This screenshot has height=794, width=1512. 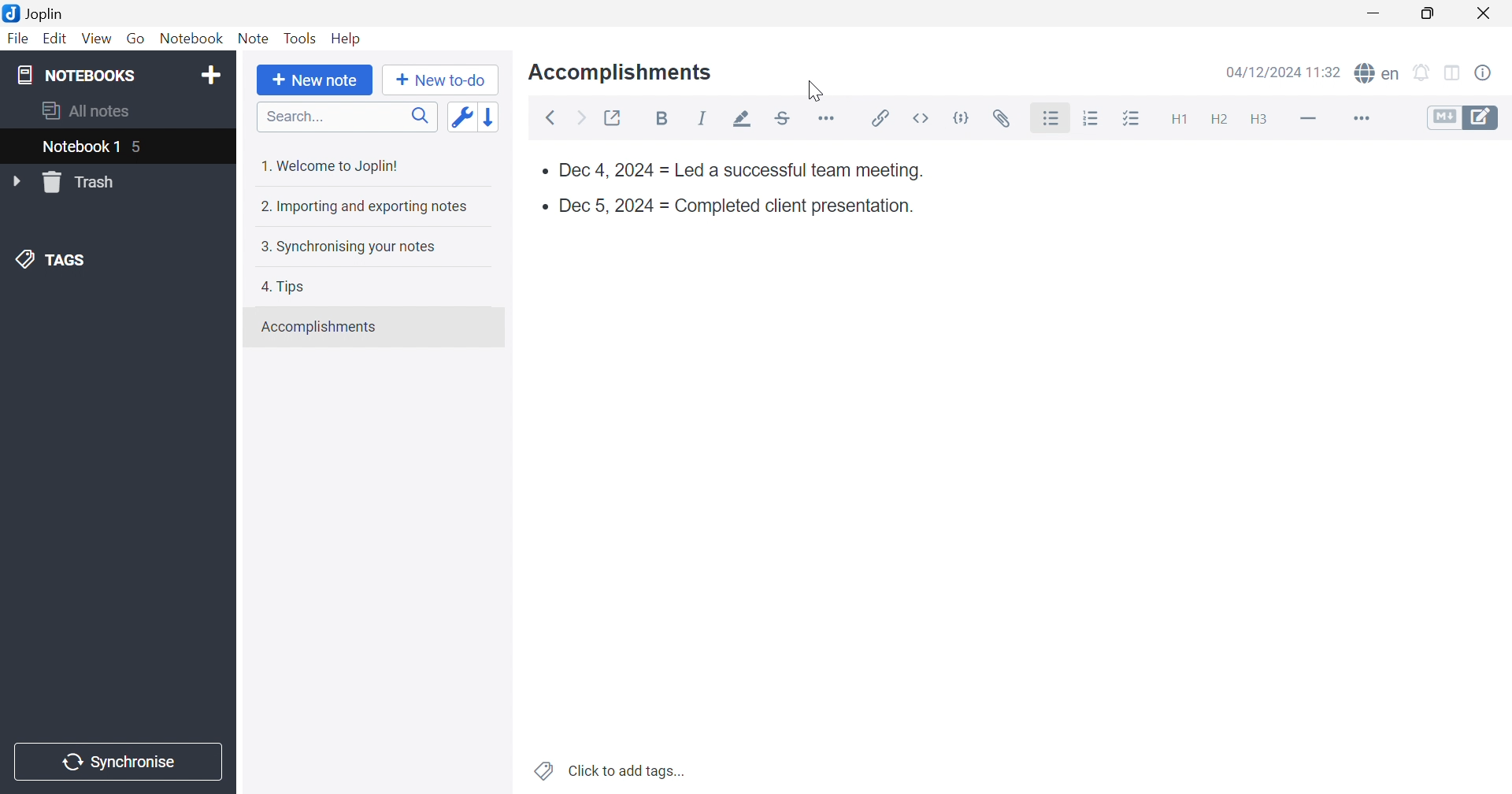 What do you see at coordinates (1425, 74) in the screenshot?
I see `Set alarm` at bounding box center [1425, 74].